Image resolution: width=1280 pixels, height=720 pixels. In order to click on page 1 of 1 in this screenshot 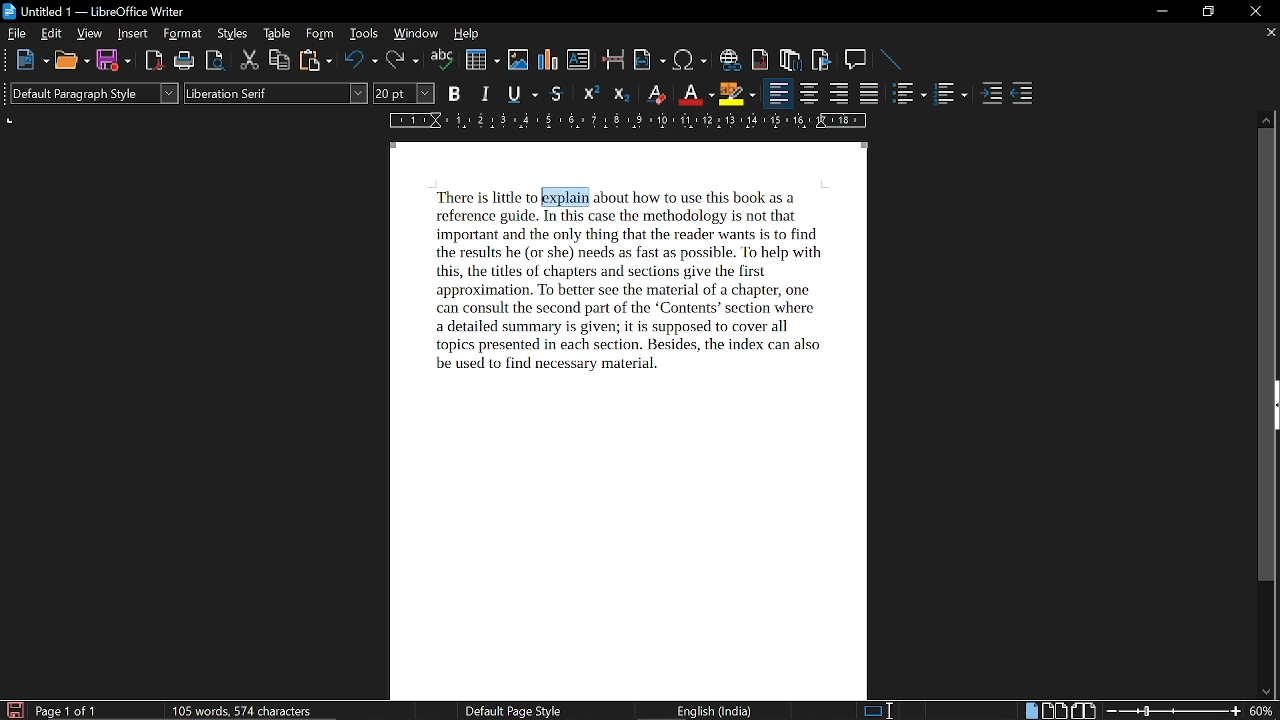, I will do `click(67, 711)`.